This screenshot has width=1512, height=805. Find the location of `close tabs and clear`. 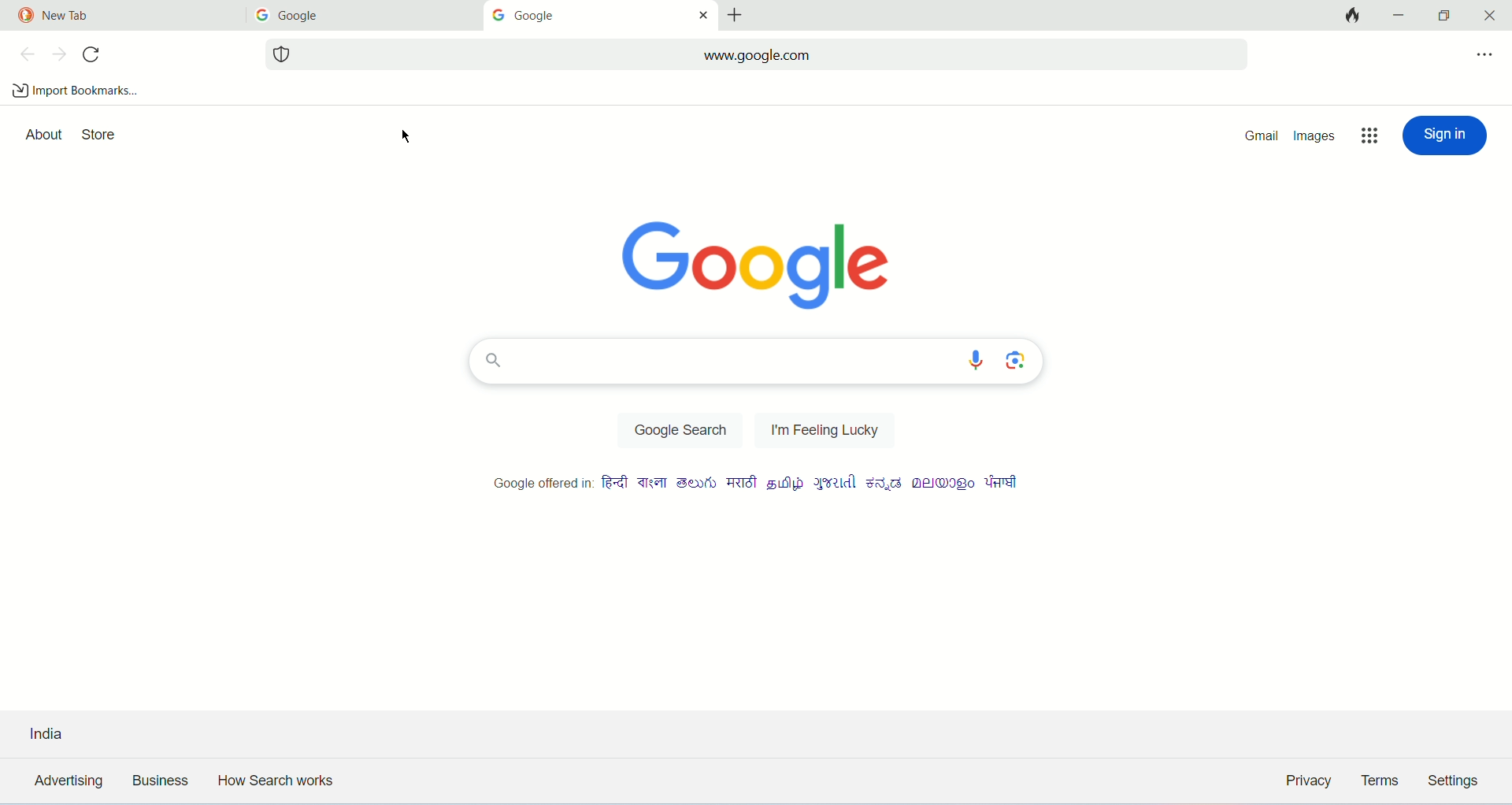

close tabs and clear is located at coordinates (1354, 16).